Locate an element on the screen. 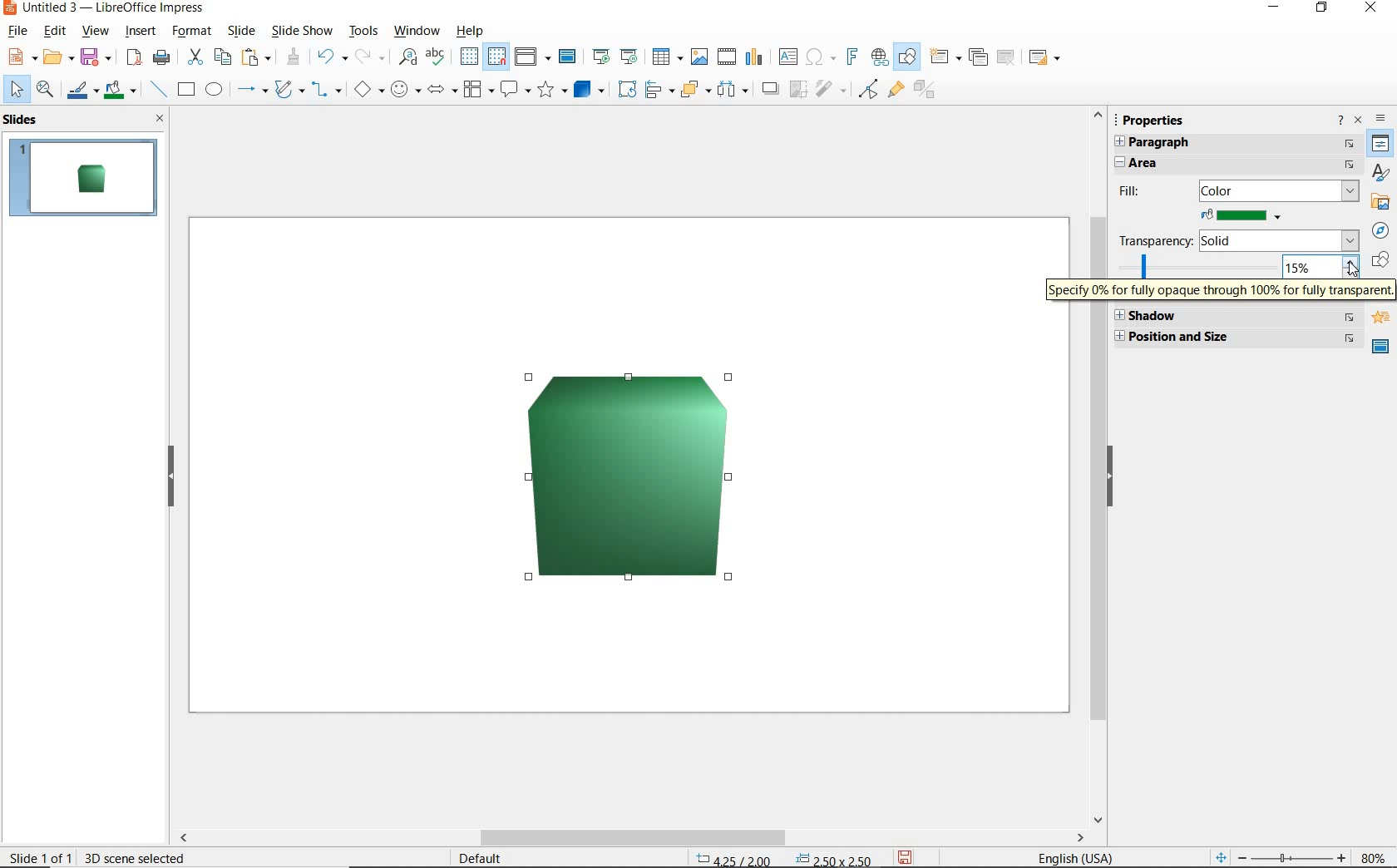 The image size is (1397, 868). line color is located at coordinates (81, 91).